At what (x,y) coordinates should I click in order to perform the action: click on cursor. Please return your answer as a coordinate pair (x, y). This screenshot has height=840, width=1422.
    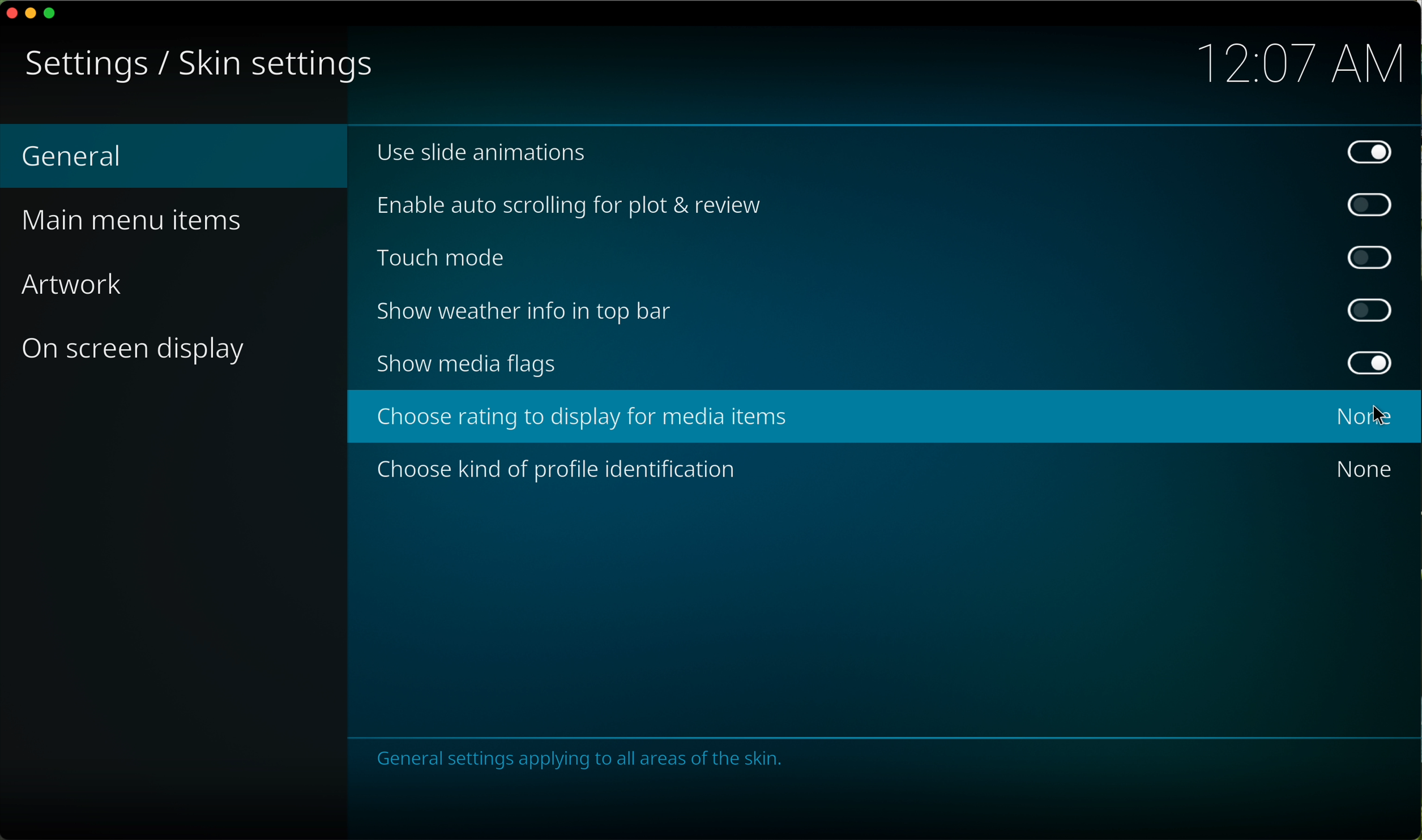
    Looking at the image, I should click on (1377, 417).